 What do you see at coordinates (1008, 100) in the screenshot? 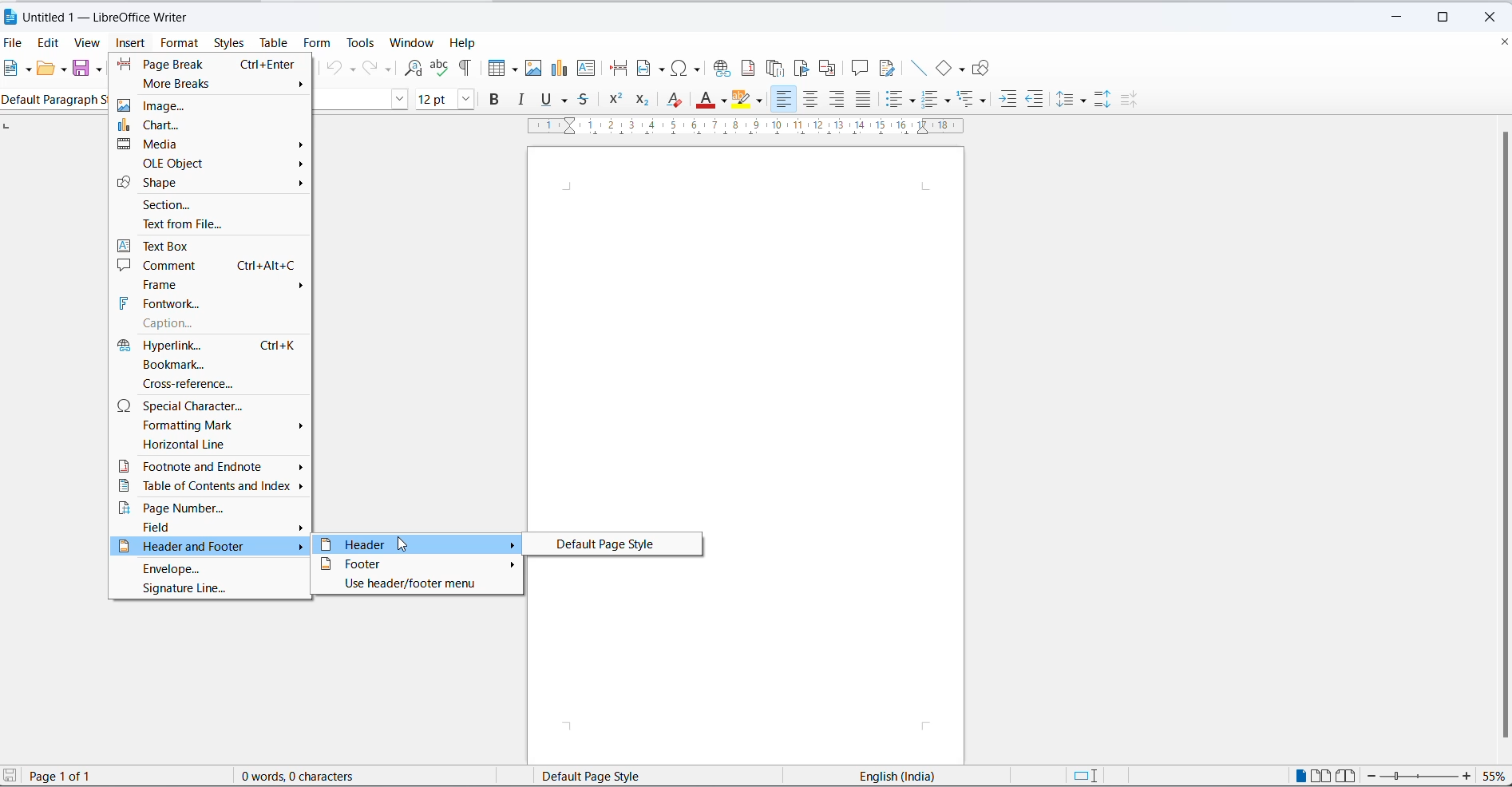
I see `increase indent` at bounding box center [1008, 100].